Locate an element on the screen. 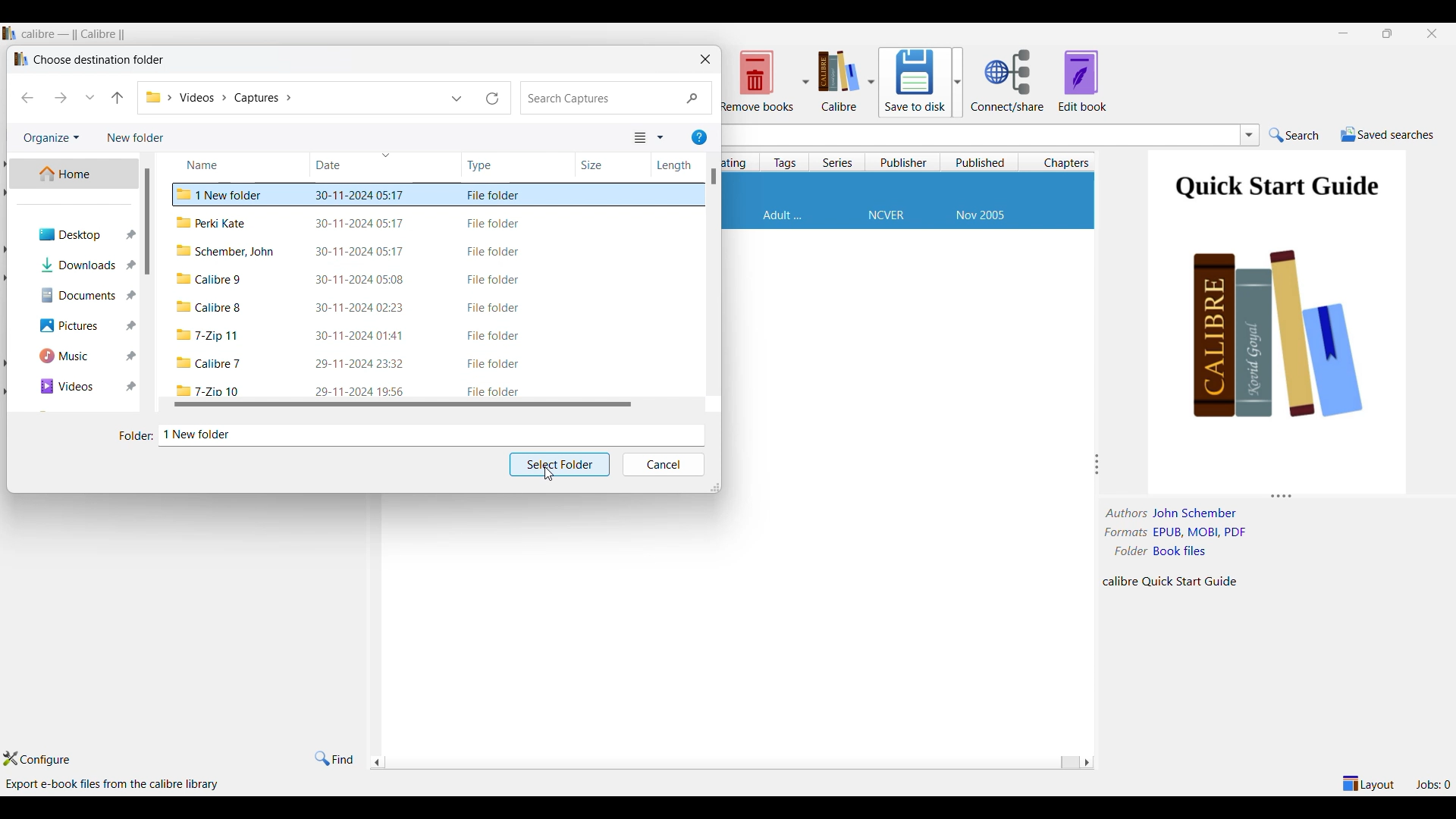 The image size is (1456, 819). date is located at coordinates (361, 335).